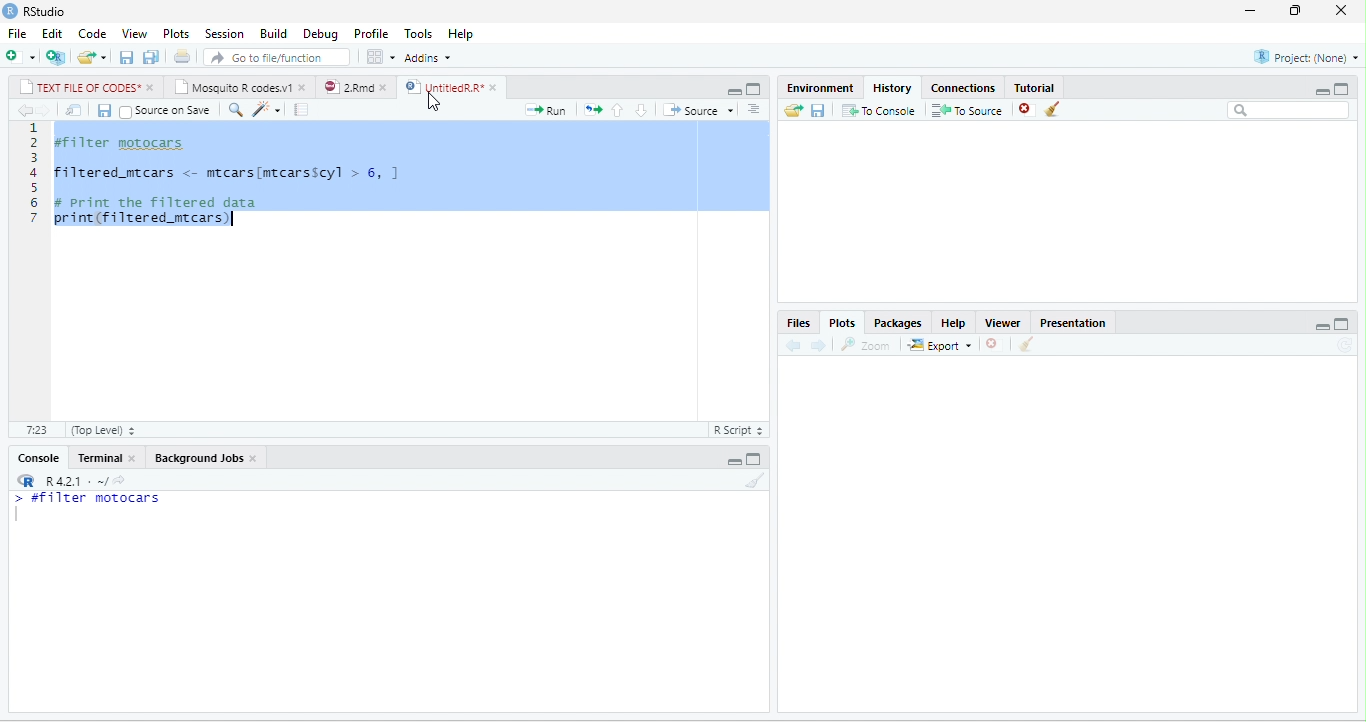 Image resolution: width=1366 pixels, height=722 pixels. Describe the element at coordinates (304, 89) in the screenshot. I see `close` at that location.